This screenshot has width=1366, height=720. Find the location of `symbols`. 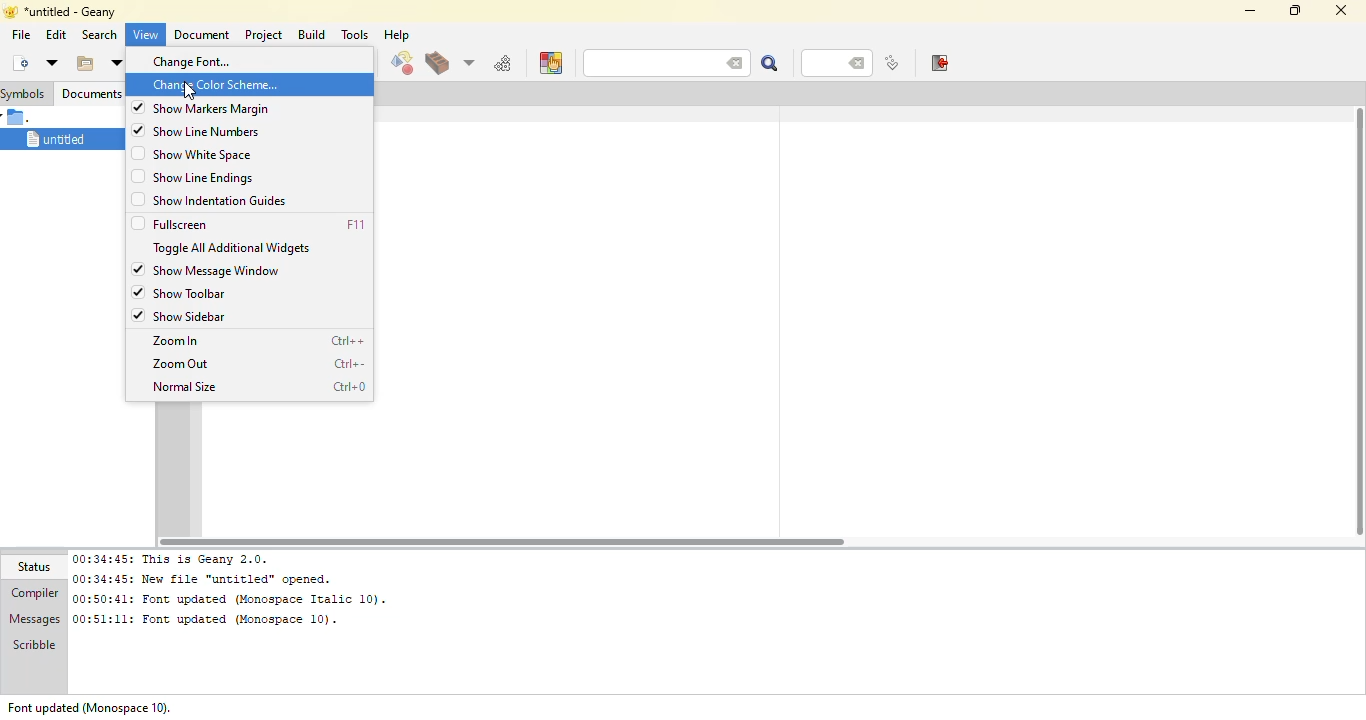

symbols is located at coordinates (25, 93).